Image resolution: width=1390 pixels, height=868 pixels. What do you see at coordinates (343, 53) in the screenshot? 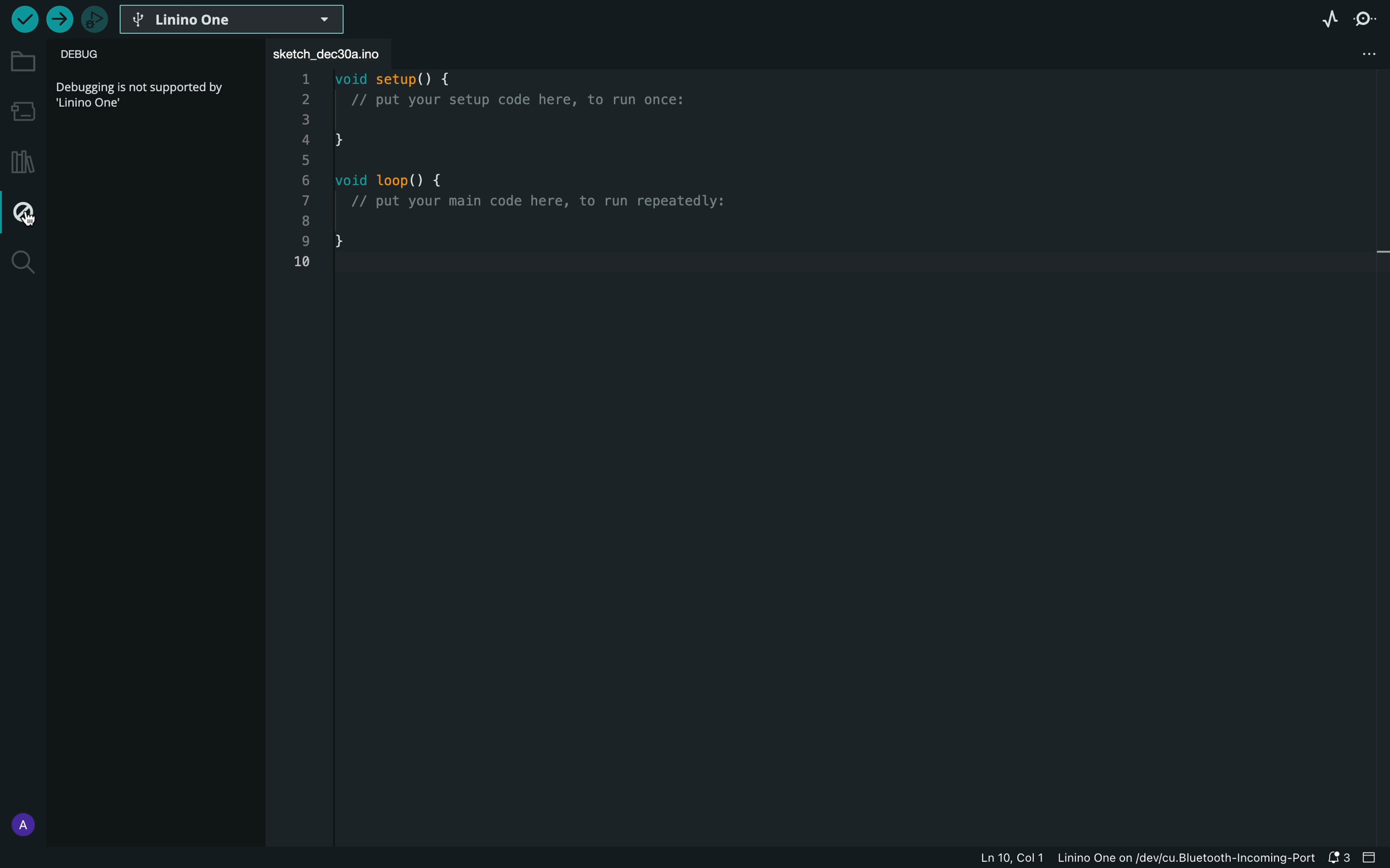
I see `file tab` at bounding box center [343, 53].